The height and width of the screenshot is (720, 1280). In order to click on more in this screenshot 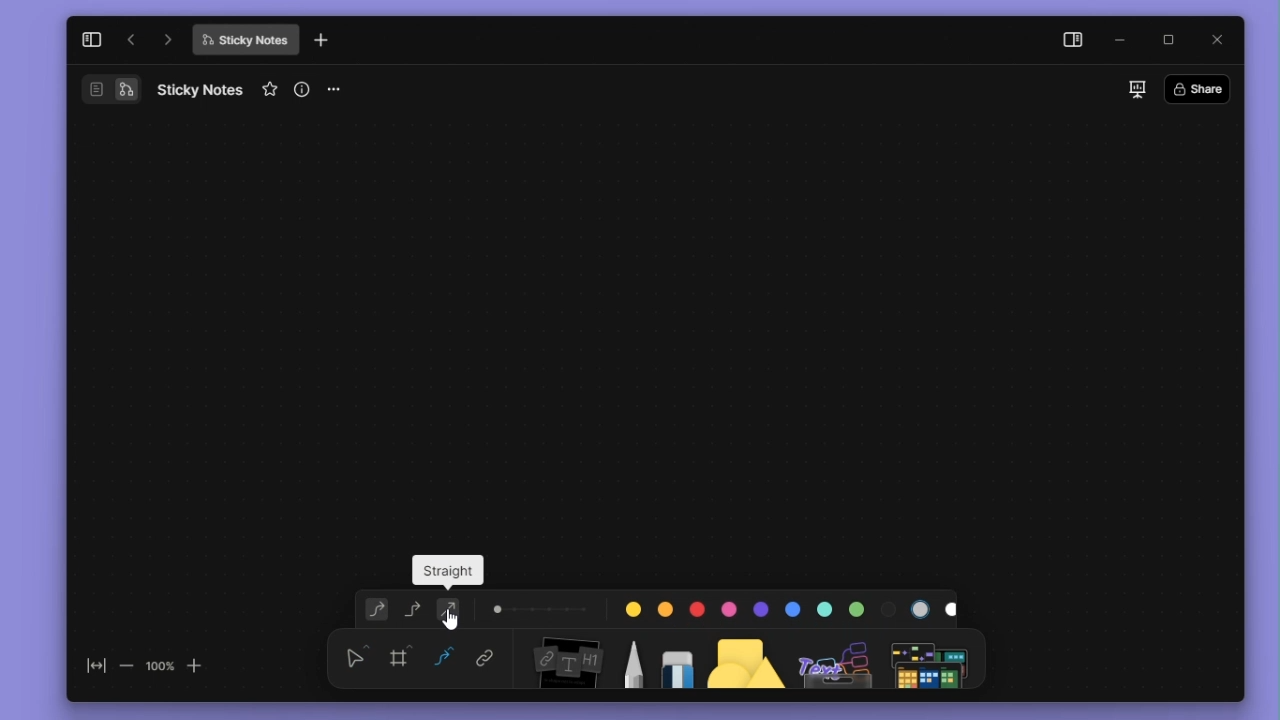, I will do `click(933, 658)`.